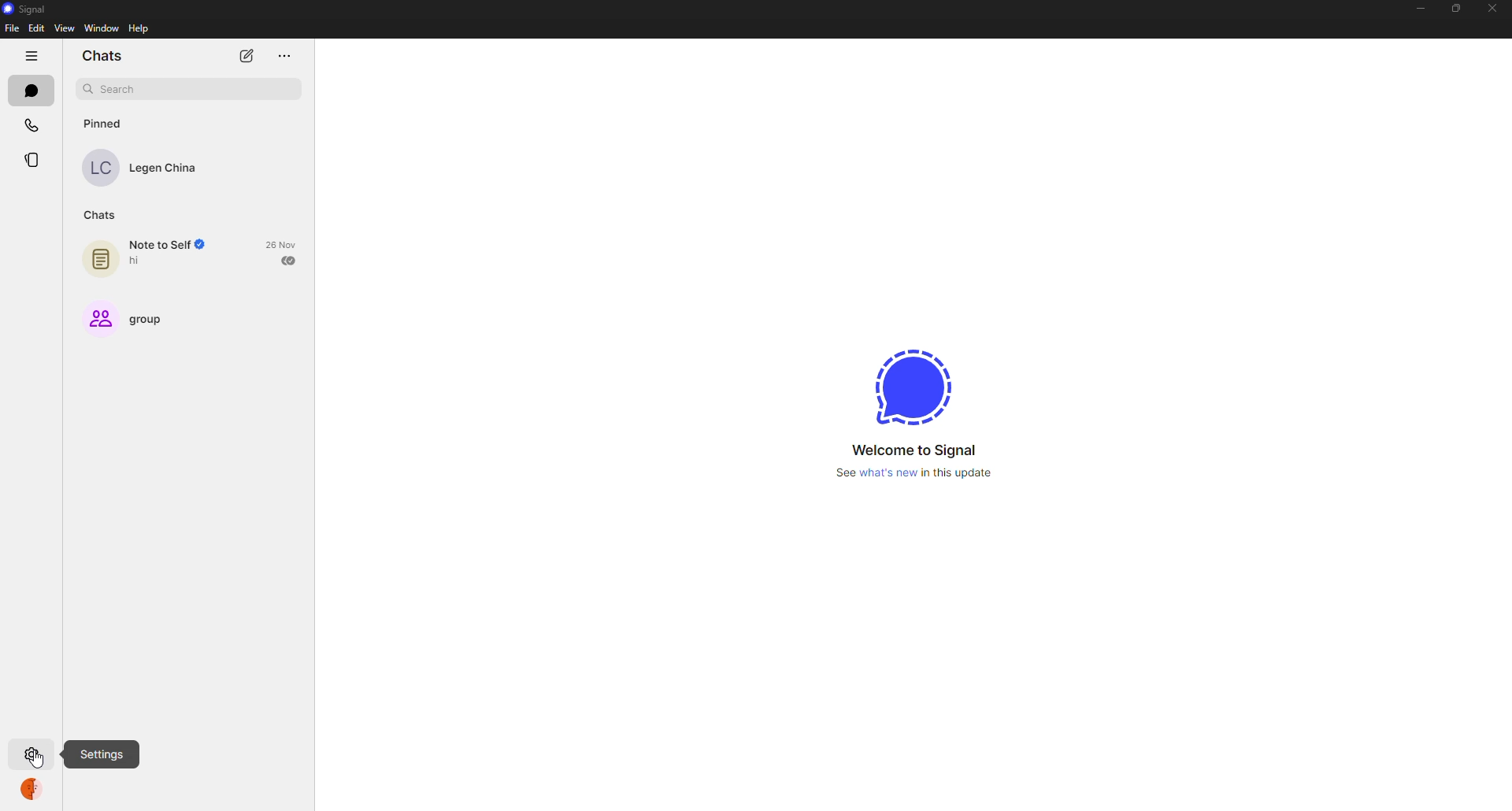  Describe the element at coordinates (919, 472) in the screenshot. I see `what's new` at that location.